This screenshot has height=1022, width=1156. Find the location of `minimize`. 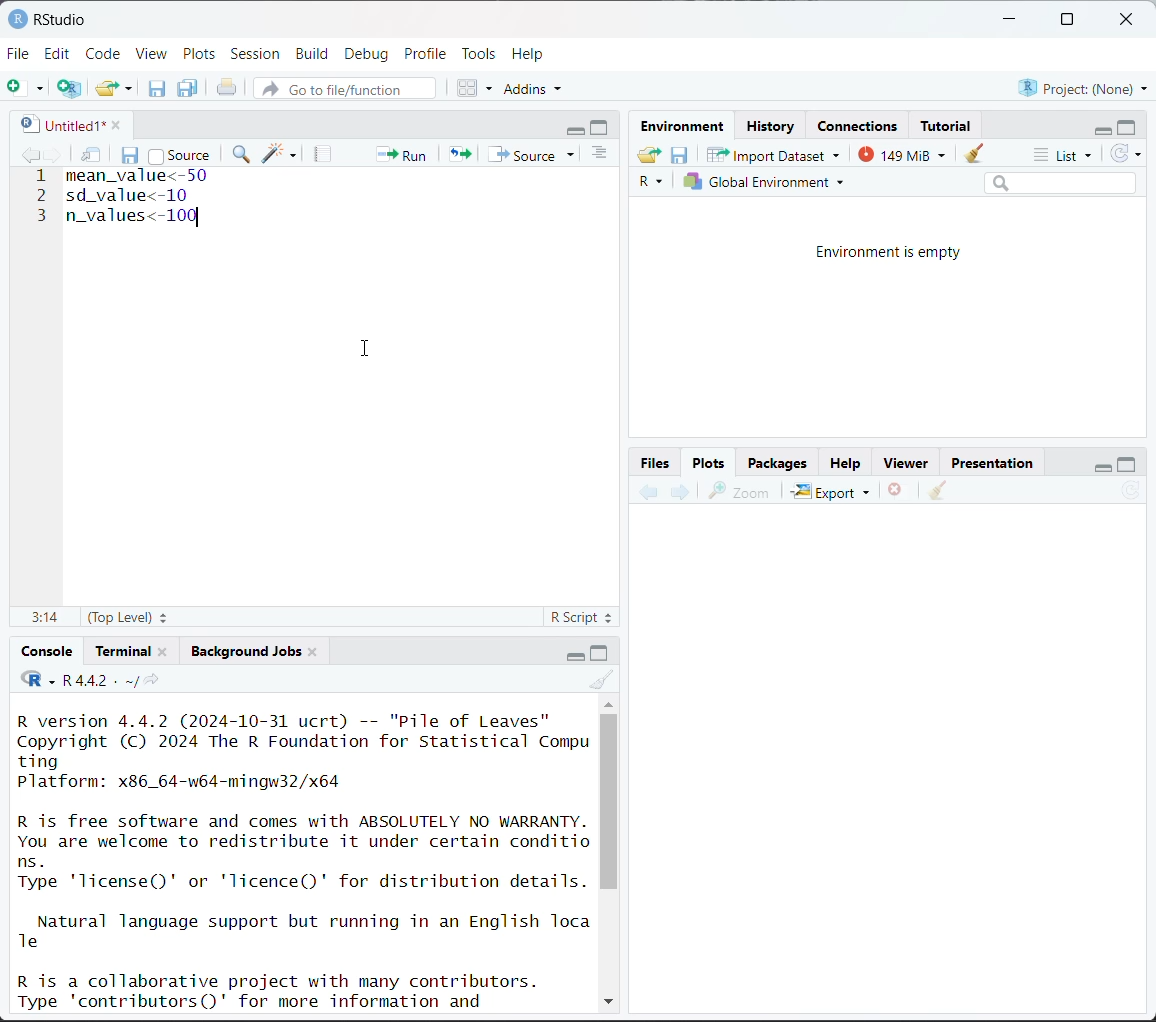

minimize is located at coordinates (1099, 464).